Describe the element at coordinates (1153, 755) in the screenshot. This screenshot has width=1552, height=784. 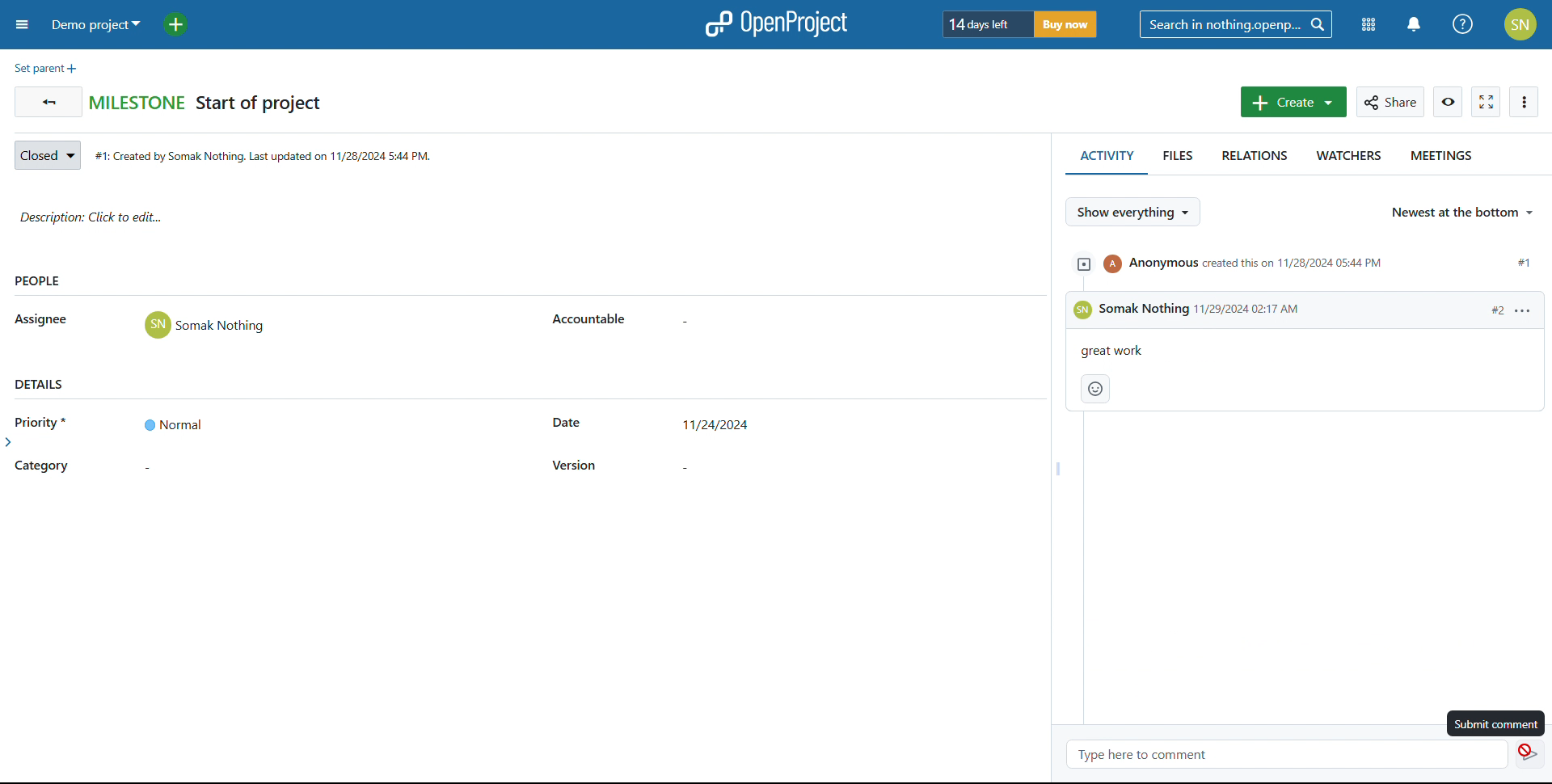
I see `type here to comment` at that location.